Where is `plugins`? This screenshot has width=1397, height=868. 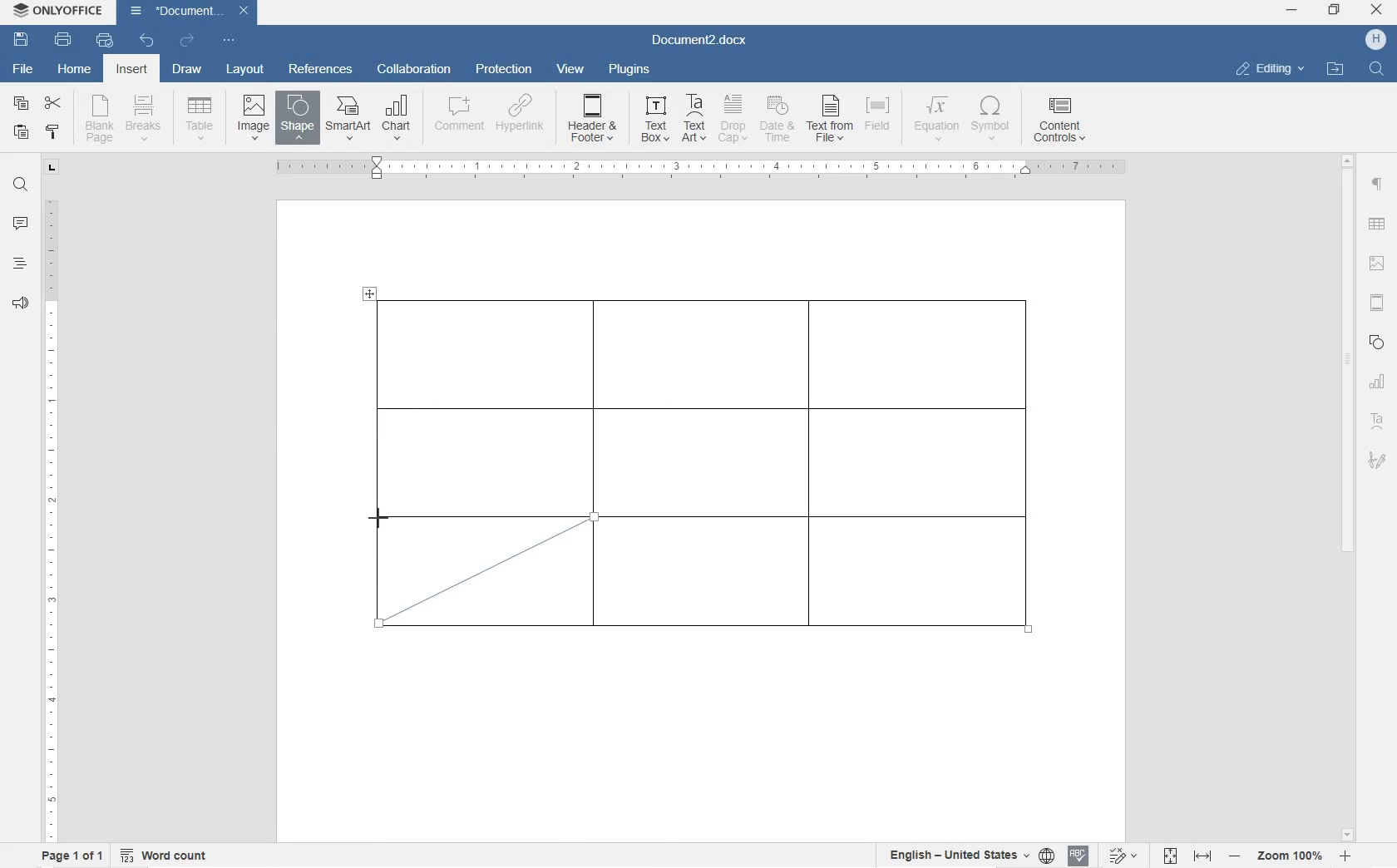 plugins is located at coordinates (630, 72).